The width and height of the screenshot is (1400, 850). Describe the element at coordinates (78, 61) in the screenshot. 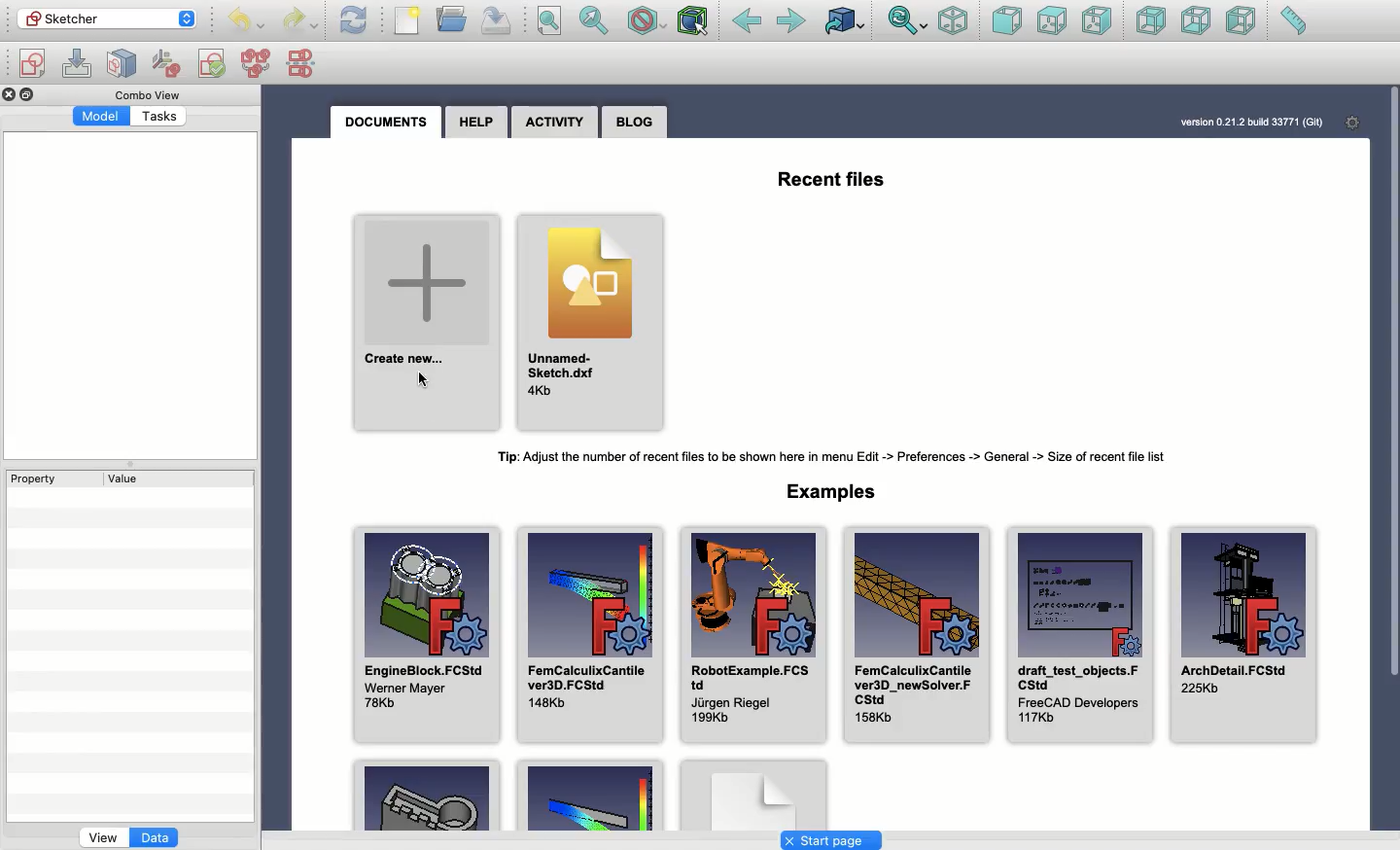

I see `Edit sketch` at that location.